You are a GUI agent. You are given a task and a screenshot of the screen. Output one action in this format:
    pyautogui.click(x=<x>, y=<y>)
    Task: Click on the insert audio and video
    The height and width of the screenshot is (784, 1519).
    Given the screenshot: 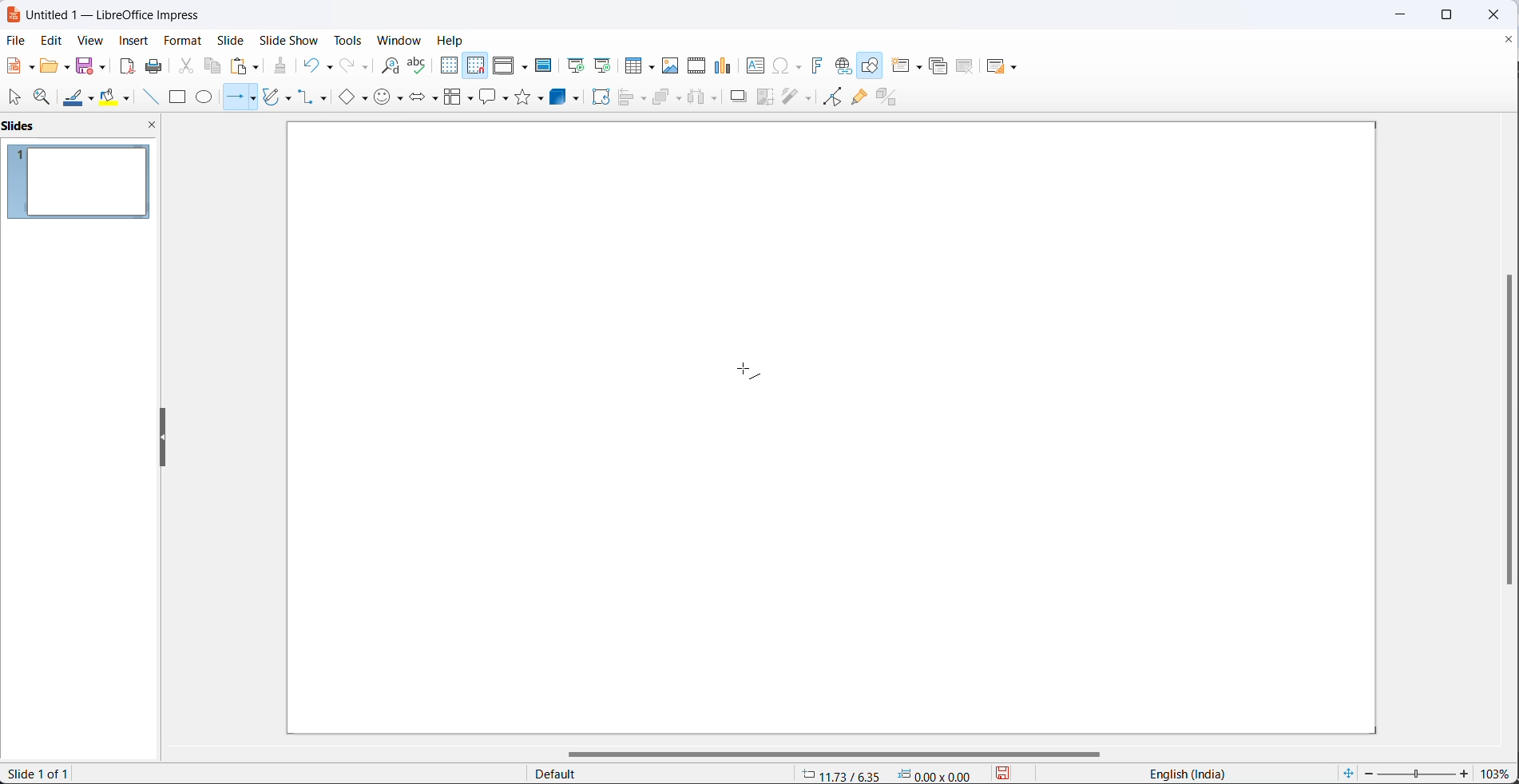 What is the action you would take?
    pyautogui.click(x=696, y=66)
    